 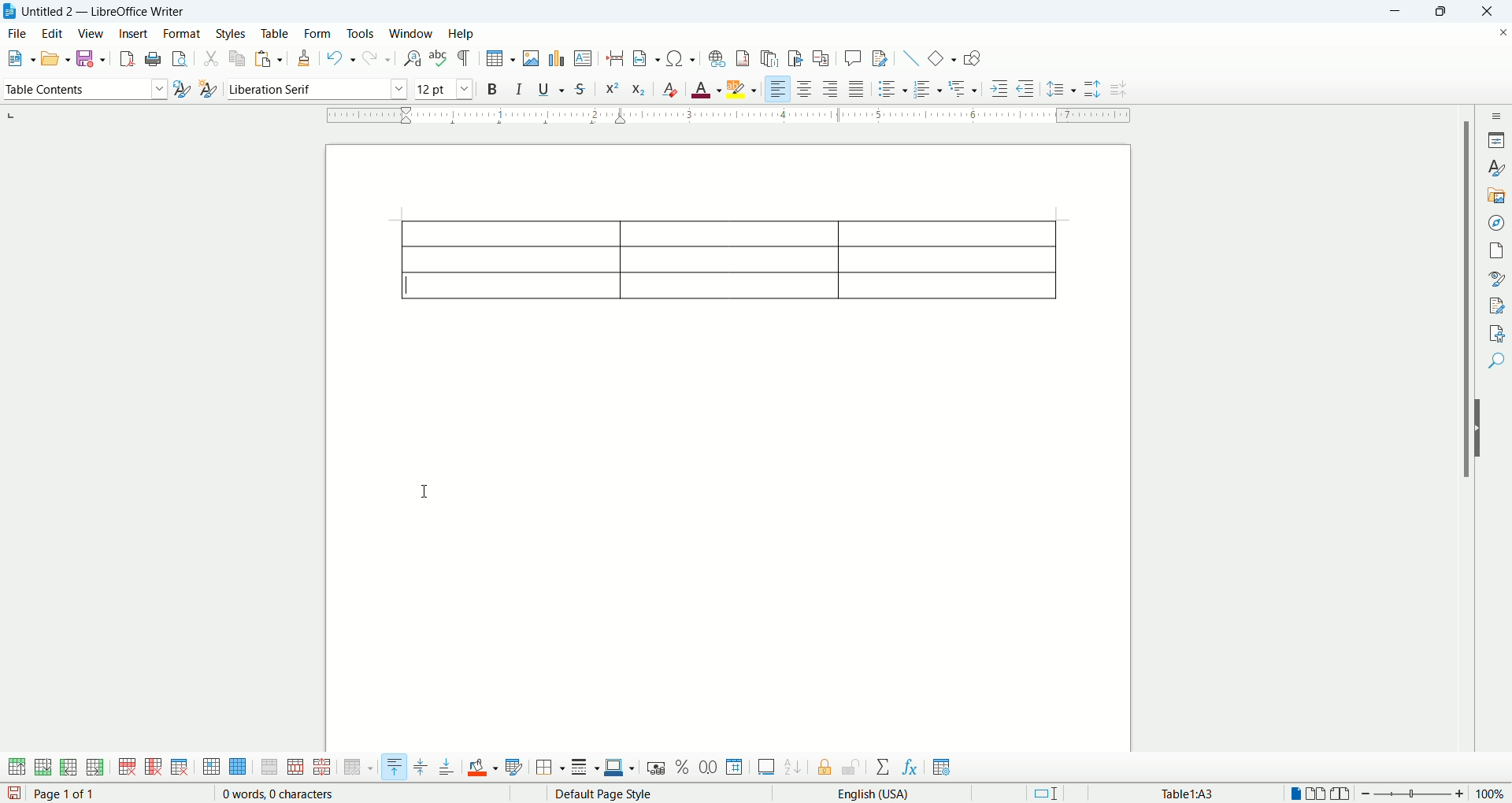 What do you see at coordinates (500, 59) in the screenshot?
I see `insert table` at bounding box center [500, 59].